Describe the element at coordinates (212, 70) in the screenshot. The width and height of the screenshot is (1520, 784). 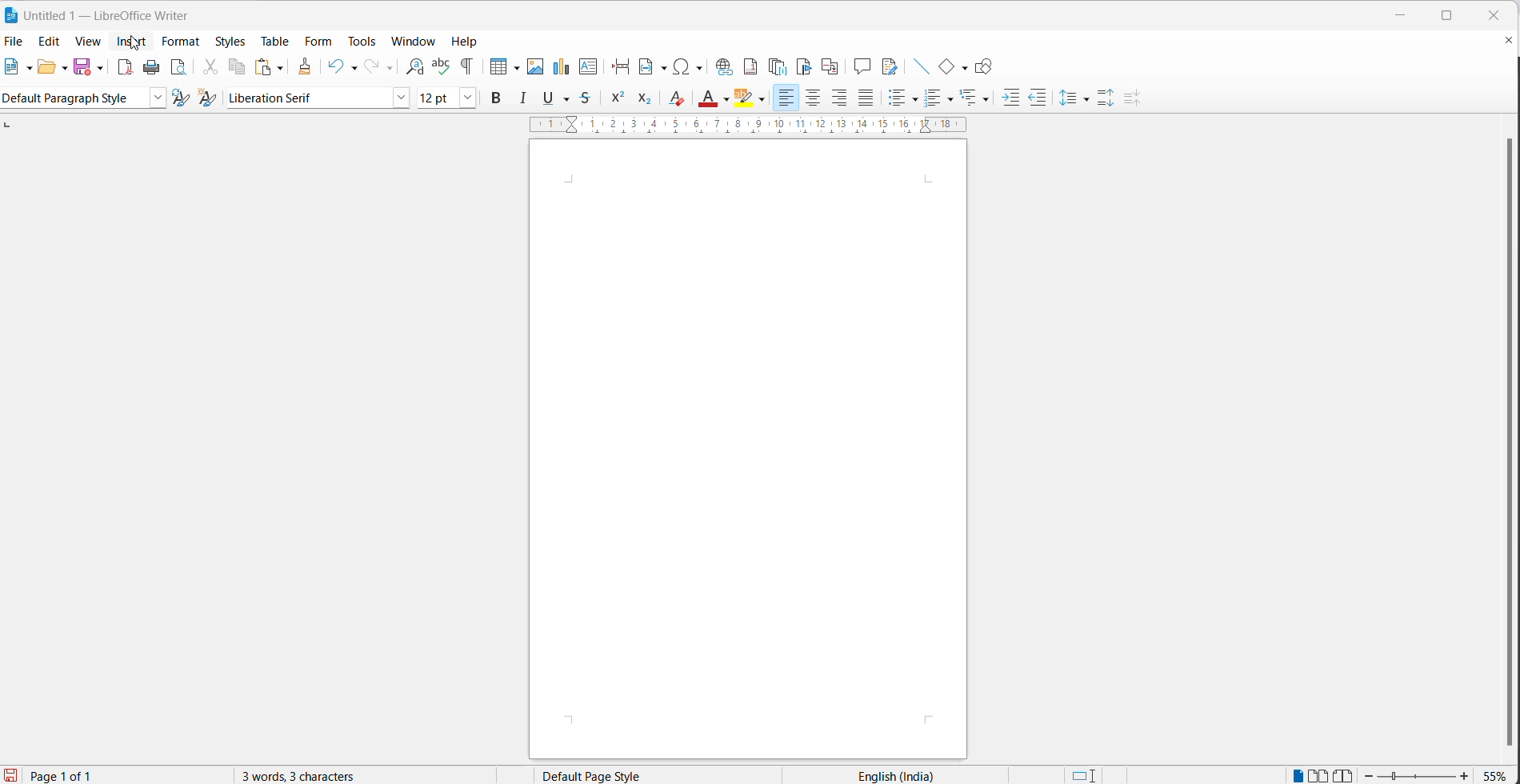
I see `cut` at that location.